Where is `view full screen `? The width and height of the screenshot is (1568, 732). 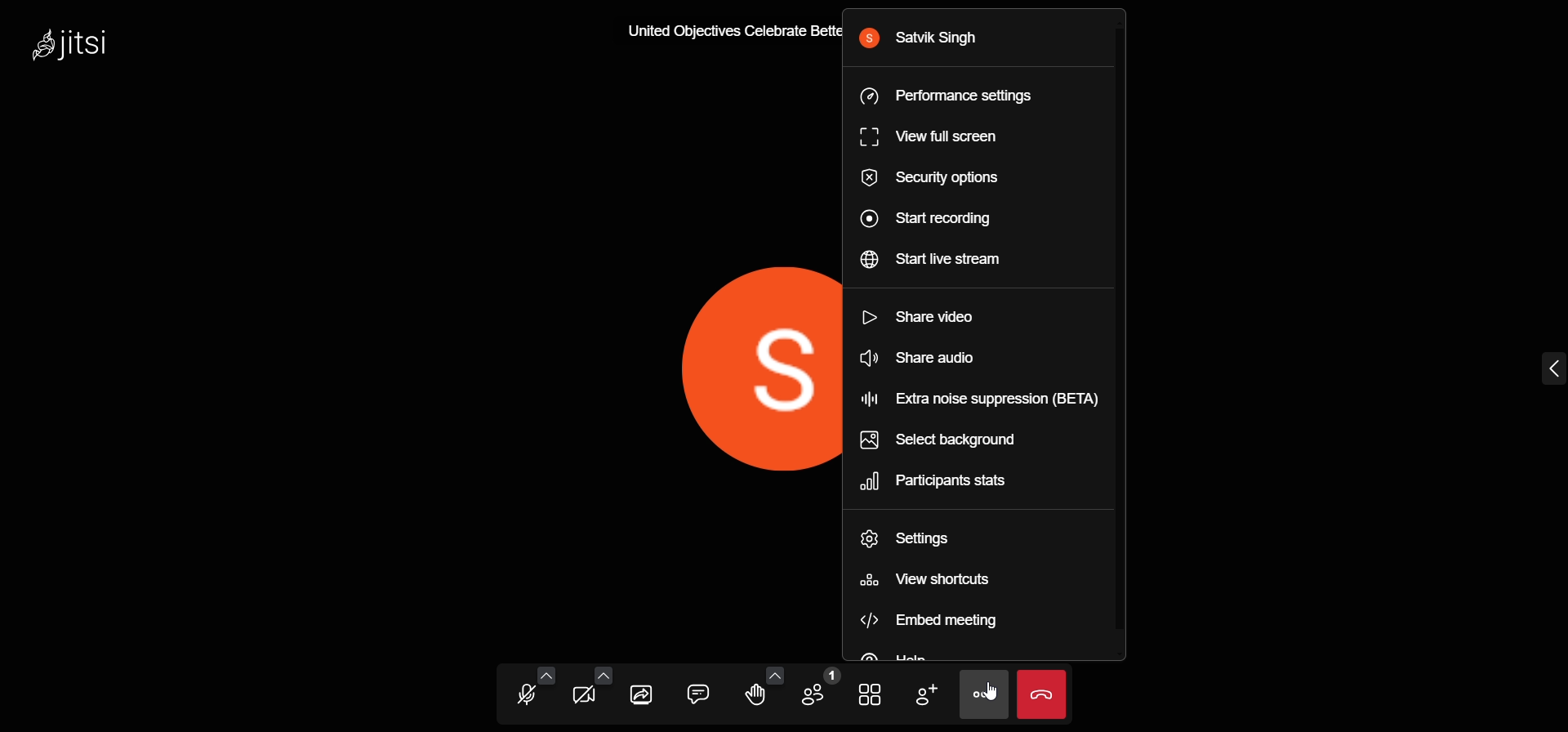 view full screen  is located at coordinates (942, 139).